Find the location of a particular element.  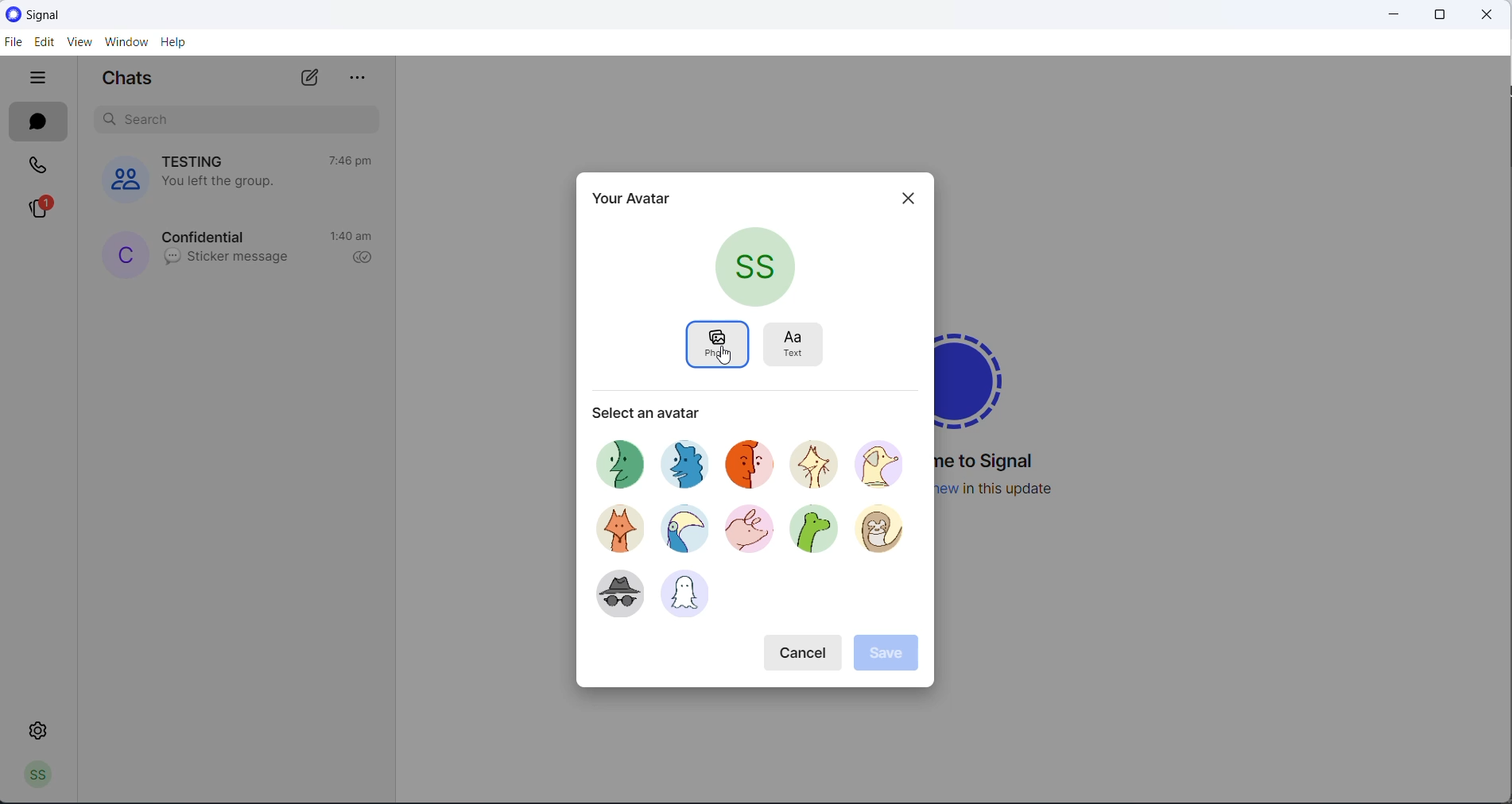

close tabs is located at coordinates (39, 79).